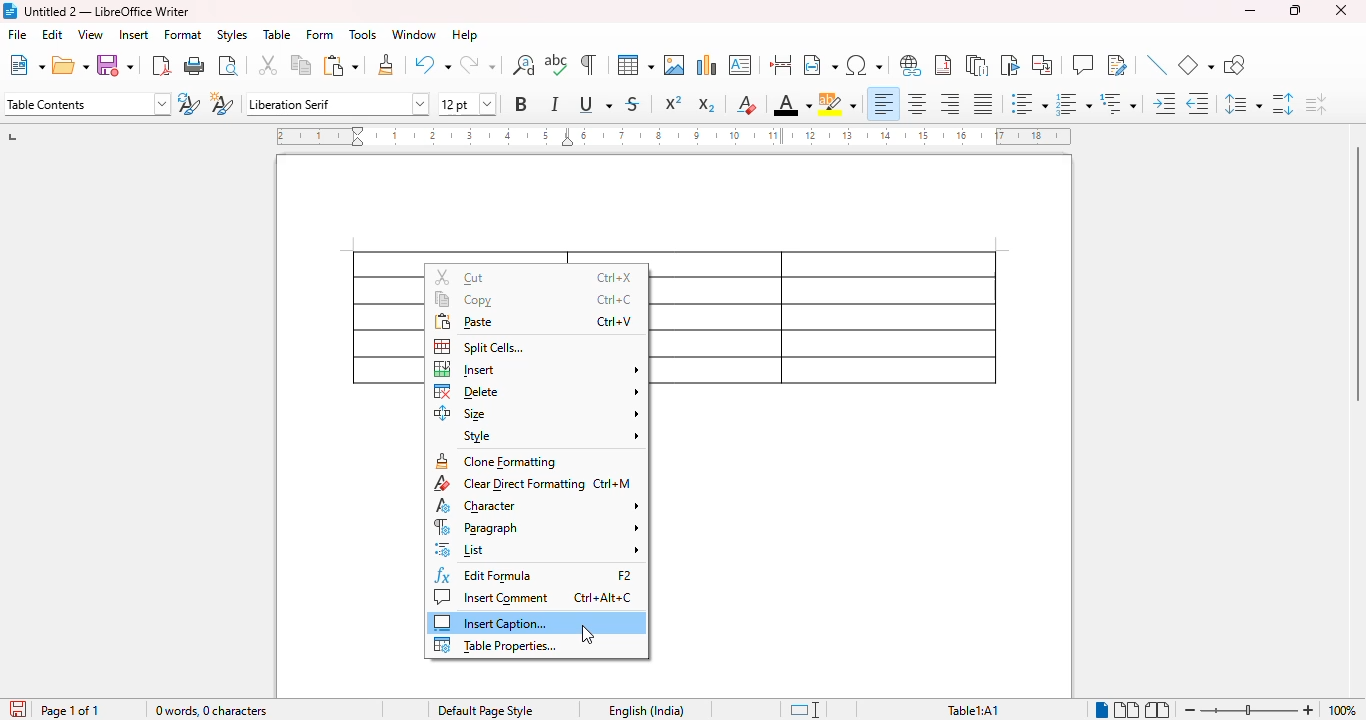  Describe the element at coordinates (910, 65) in the screenshot. I see `insert hyperlink` at that location.